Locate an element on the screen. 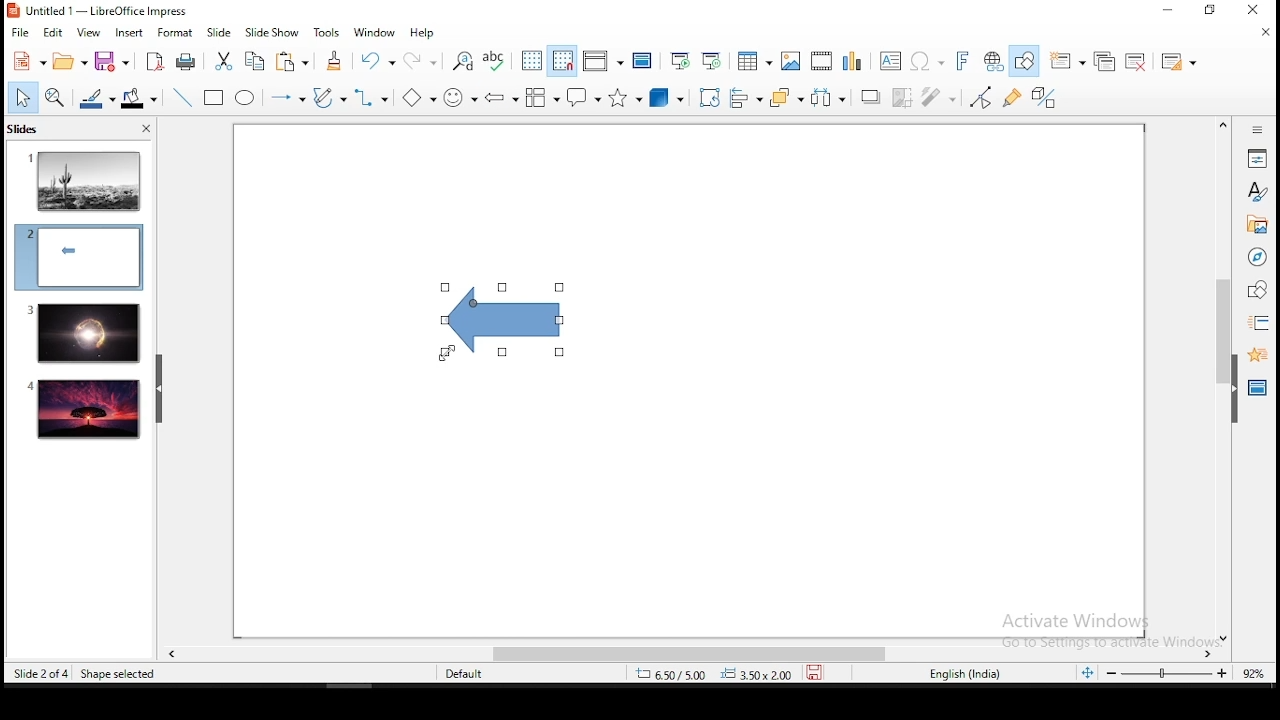 The height and width of the screenshot is (720, 1280). cut is located at coordinates (223, 60).